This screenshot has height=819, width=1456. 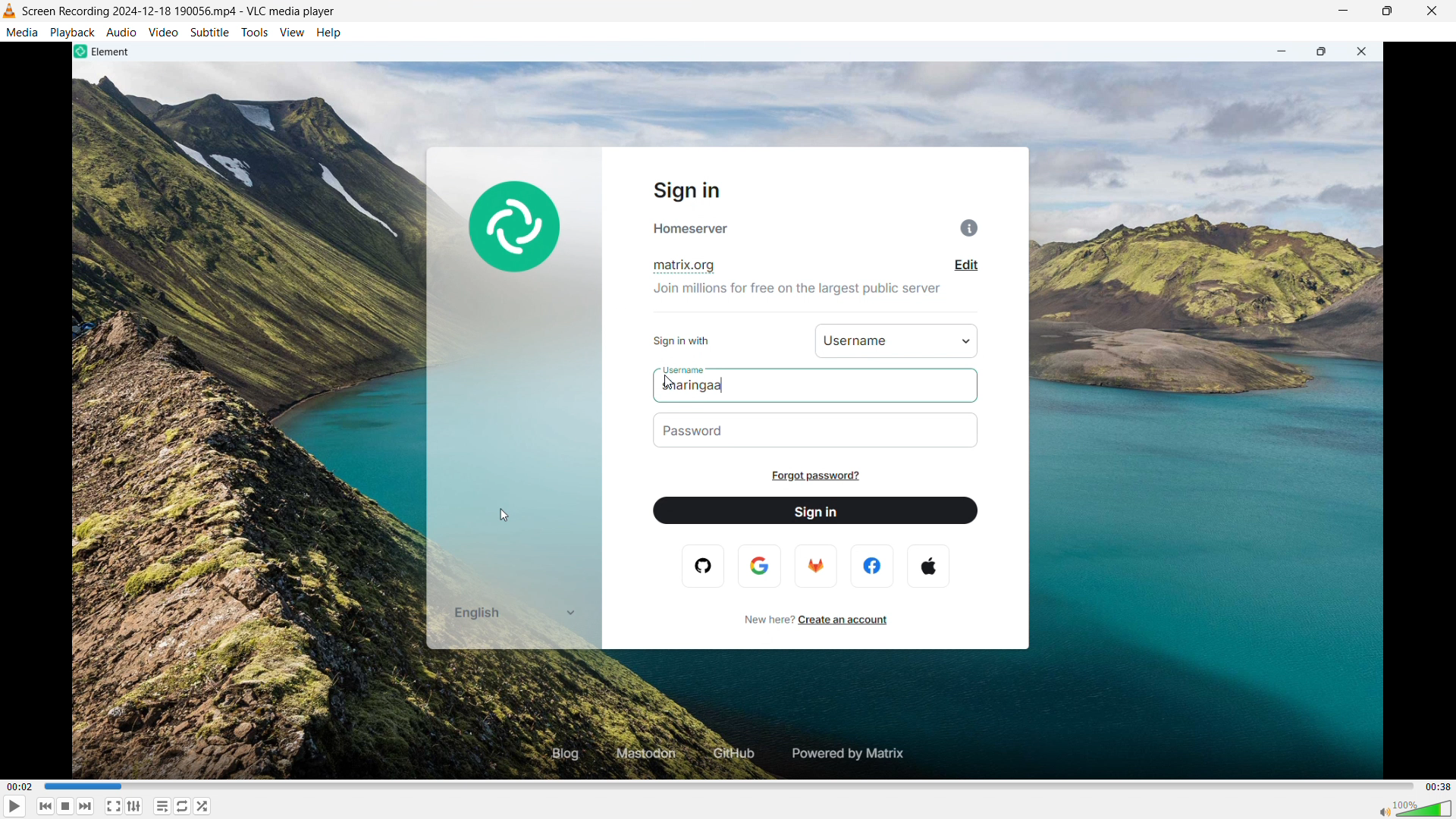 What do you see at coordinates (24, 33) in the screenshot?
I see `media` at bounding box center [24, 33].